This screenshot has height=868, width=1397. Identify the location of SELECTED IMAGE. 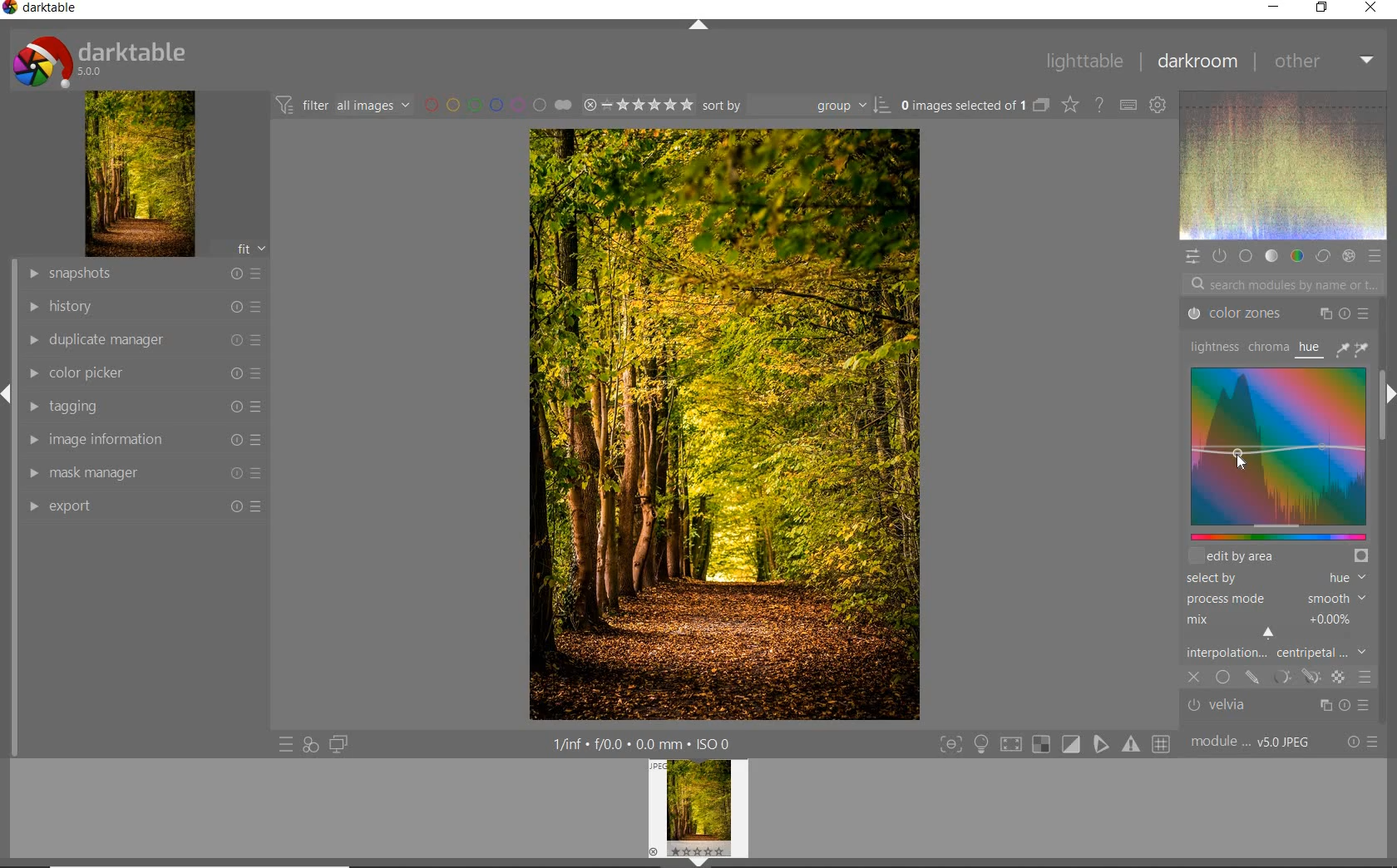
(962, 106).